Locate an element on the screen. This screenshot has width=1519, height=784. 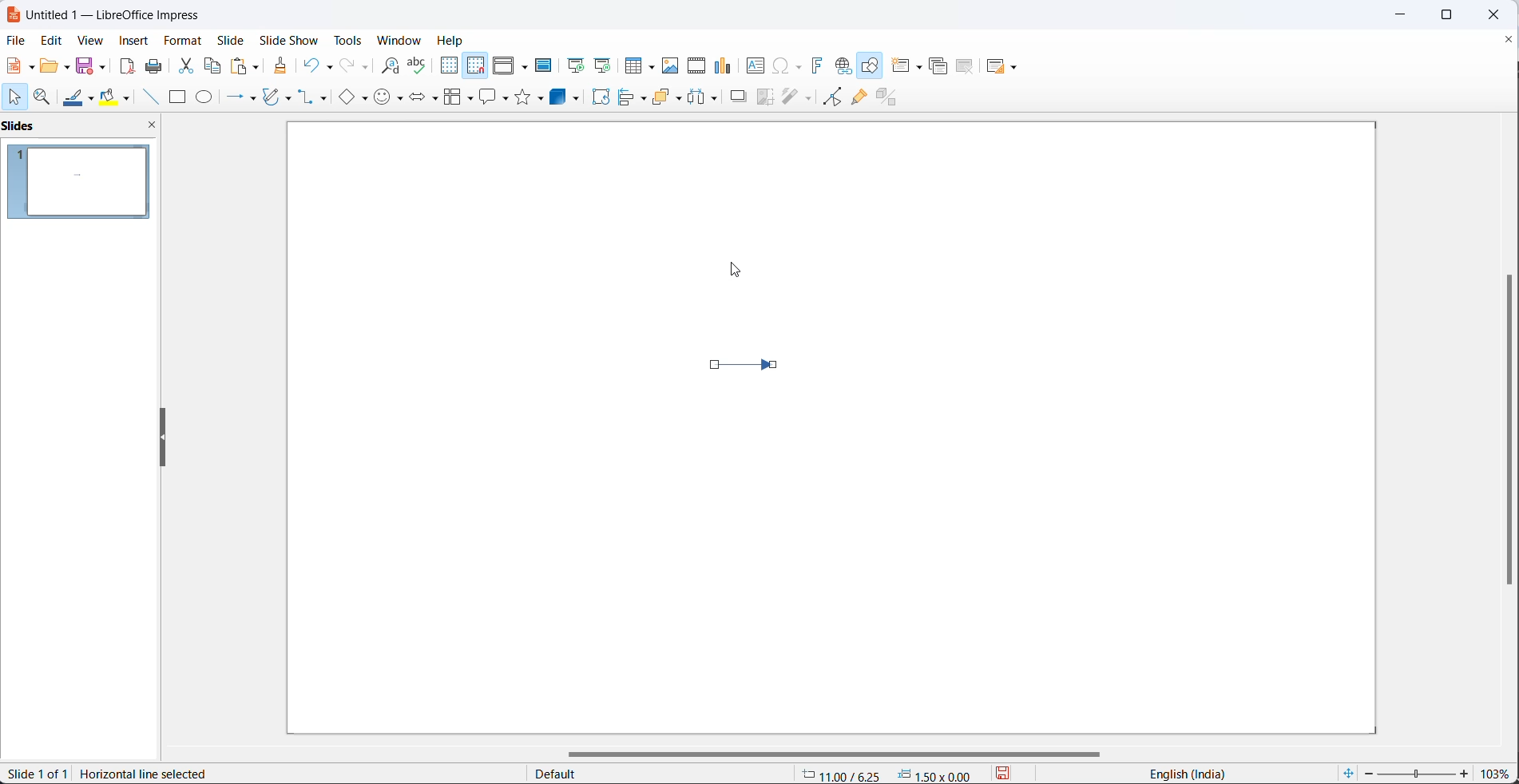
rotate is located at coordinates (601, 98).